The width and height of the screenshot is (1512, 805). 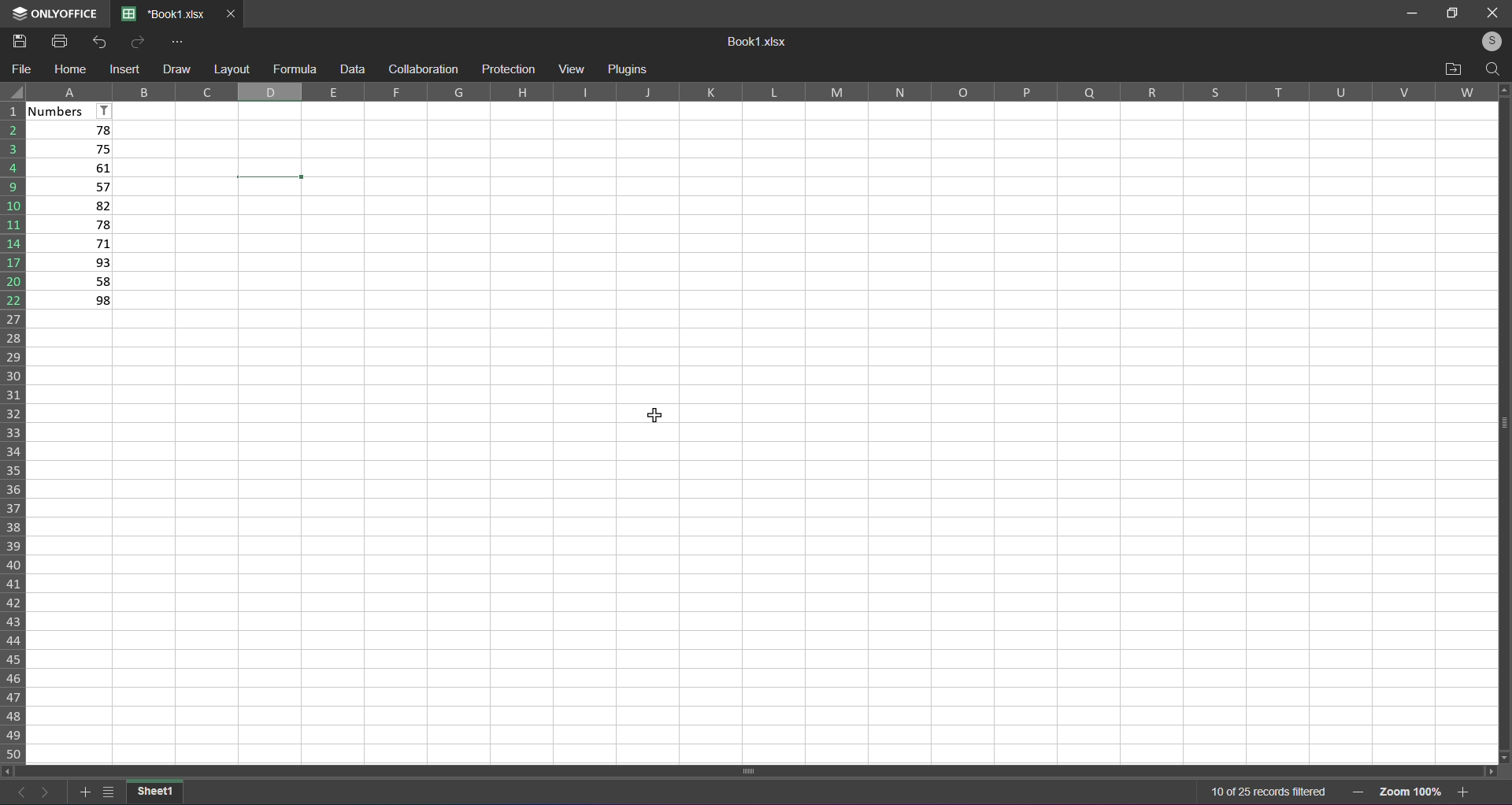 I want to click on Zoom 100%, so click(x=1411, y=790).